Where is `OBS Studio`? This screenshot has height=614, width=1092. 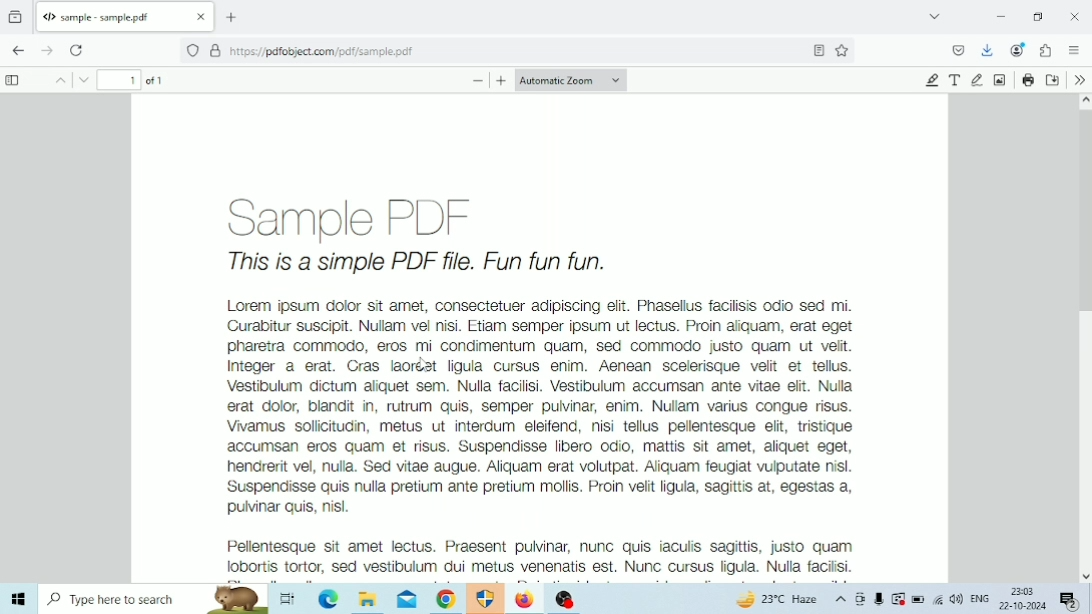
OBS Studio is located at coordinates (566, 599).